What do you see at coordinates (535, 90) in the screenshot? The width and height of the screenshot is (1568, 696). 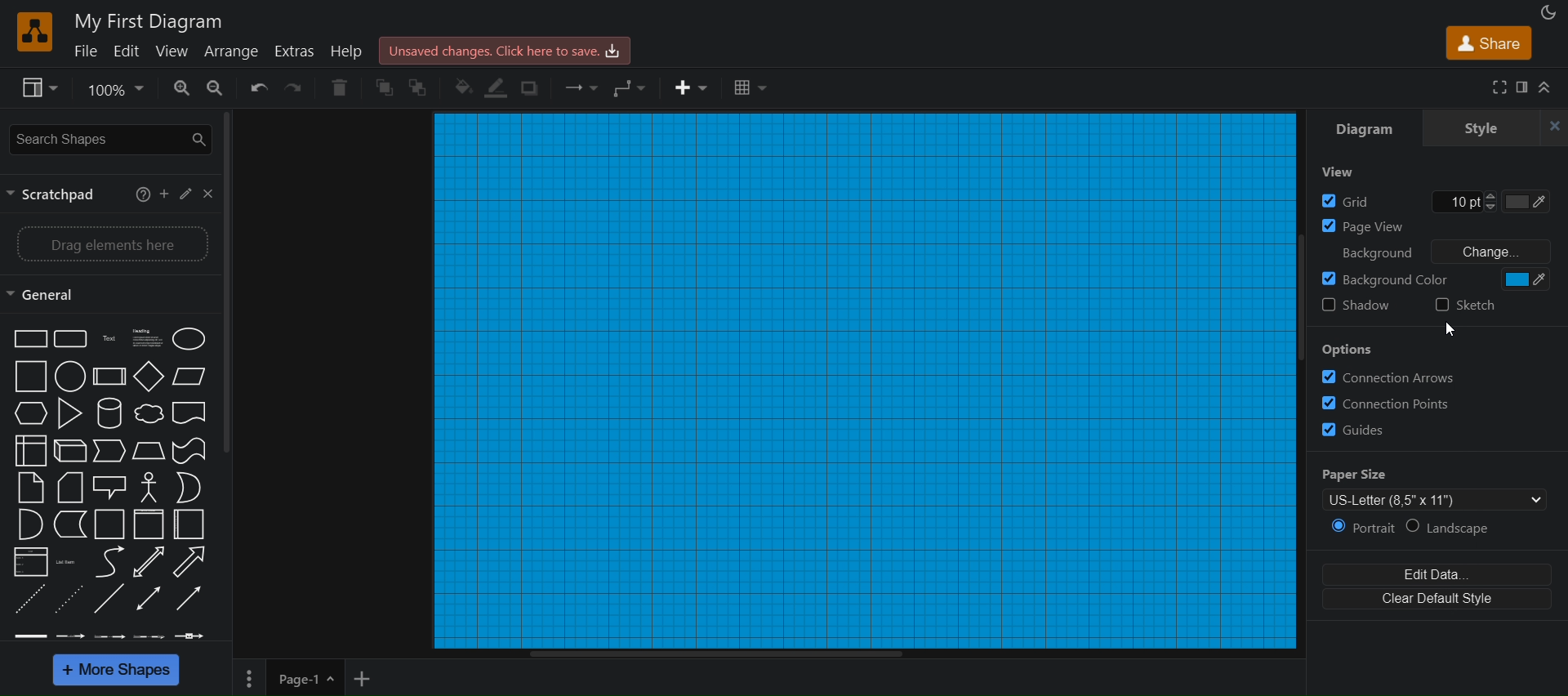 I see `shadow` at bounding box center [535, 90].